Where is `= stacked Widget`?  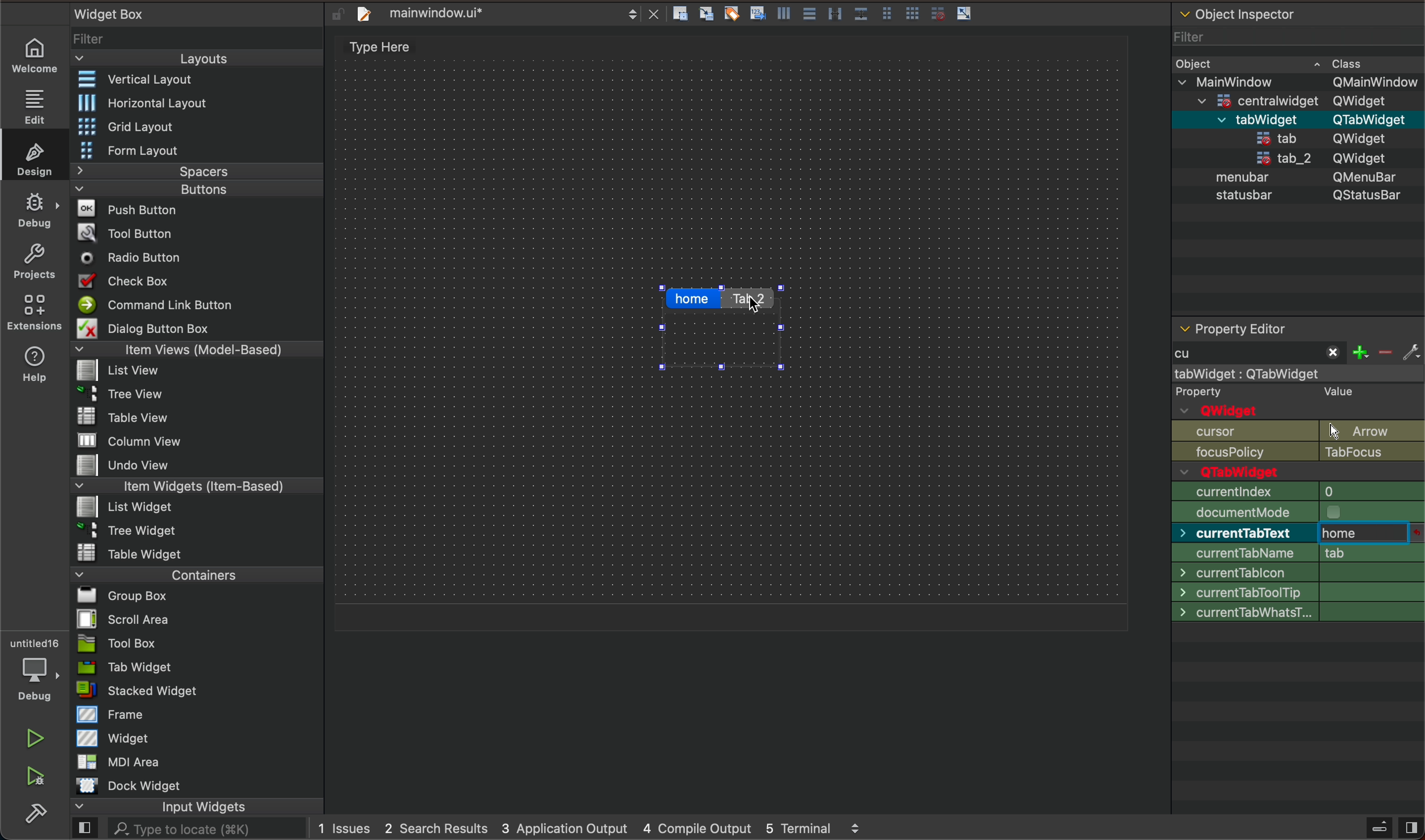
= stacked Widget is located at coordinates (144, 691).